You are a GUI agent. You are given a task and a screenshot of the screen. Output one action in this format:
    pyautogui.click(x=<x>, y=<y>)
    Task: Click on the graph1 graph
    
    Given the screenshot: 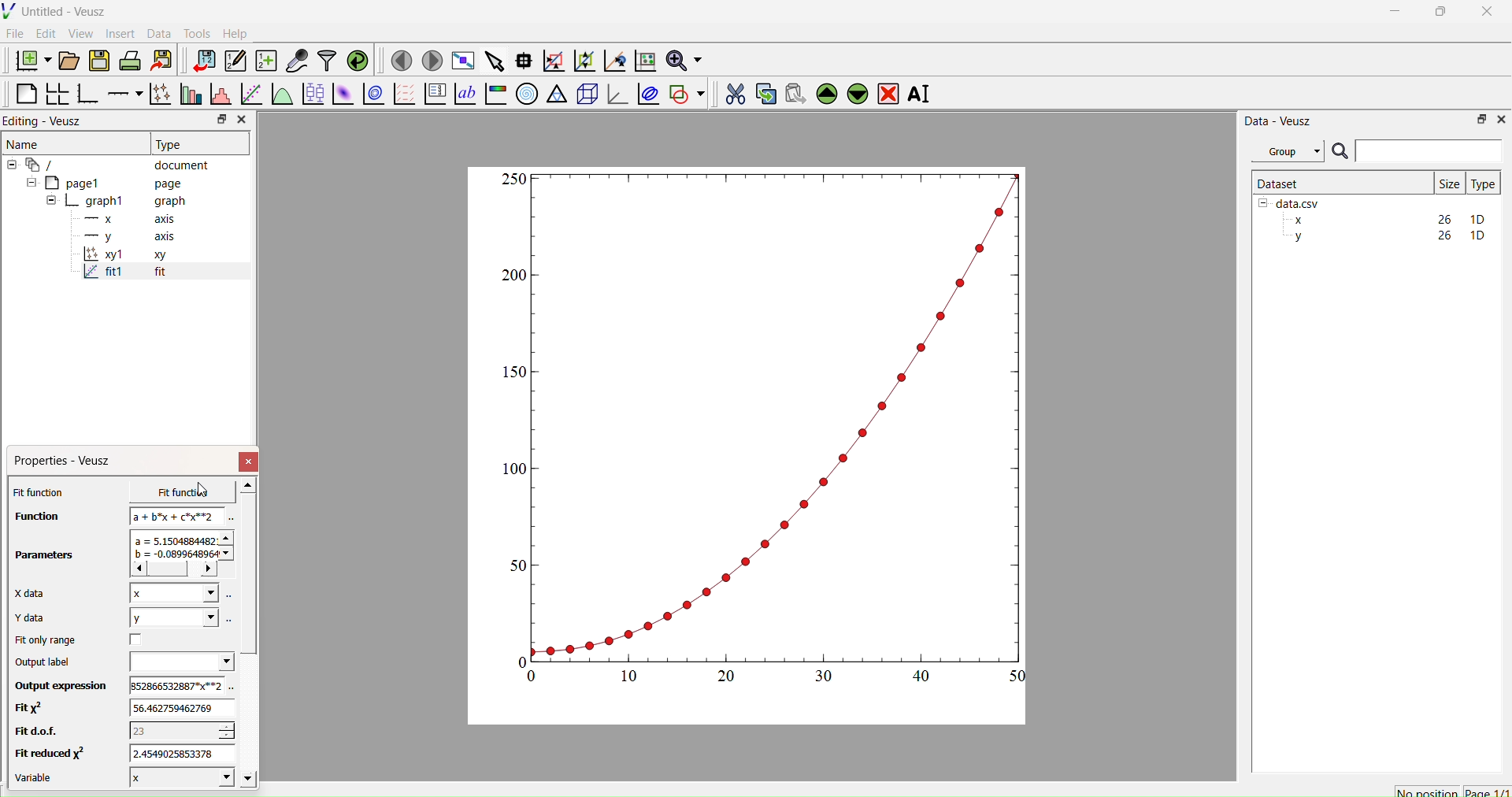 What is the action you would take?
    pyautogui.click(x=117, y=202)
    